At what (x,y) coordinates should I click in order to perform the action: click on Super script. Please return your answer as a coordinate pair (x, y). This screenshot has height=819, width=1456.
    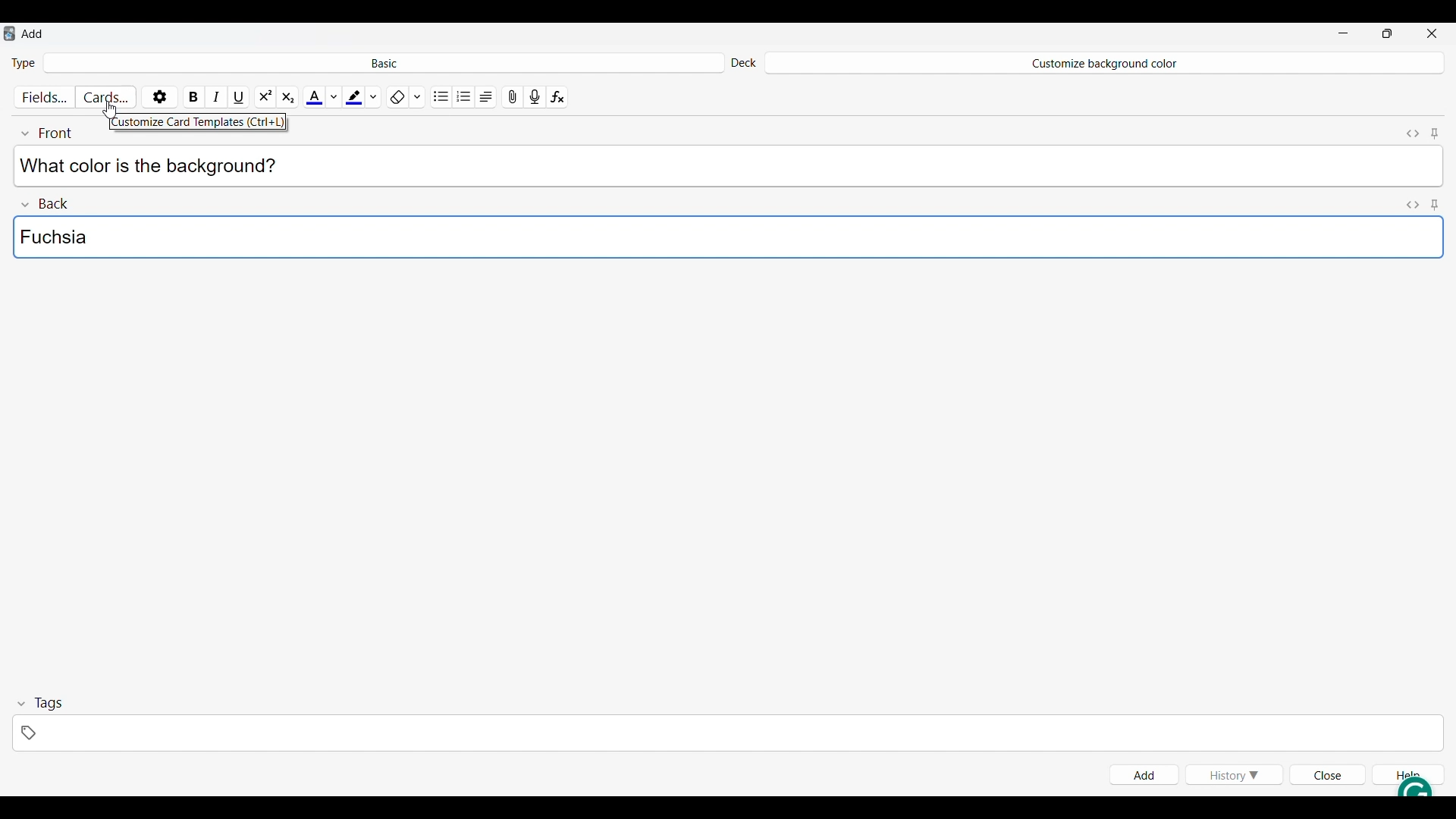
    Looking at the image, I should click on (265, 95).